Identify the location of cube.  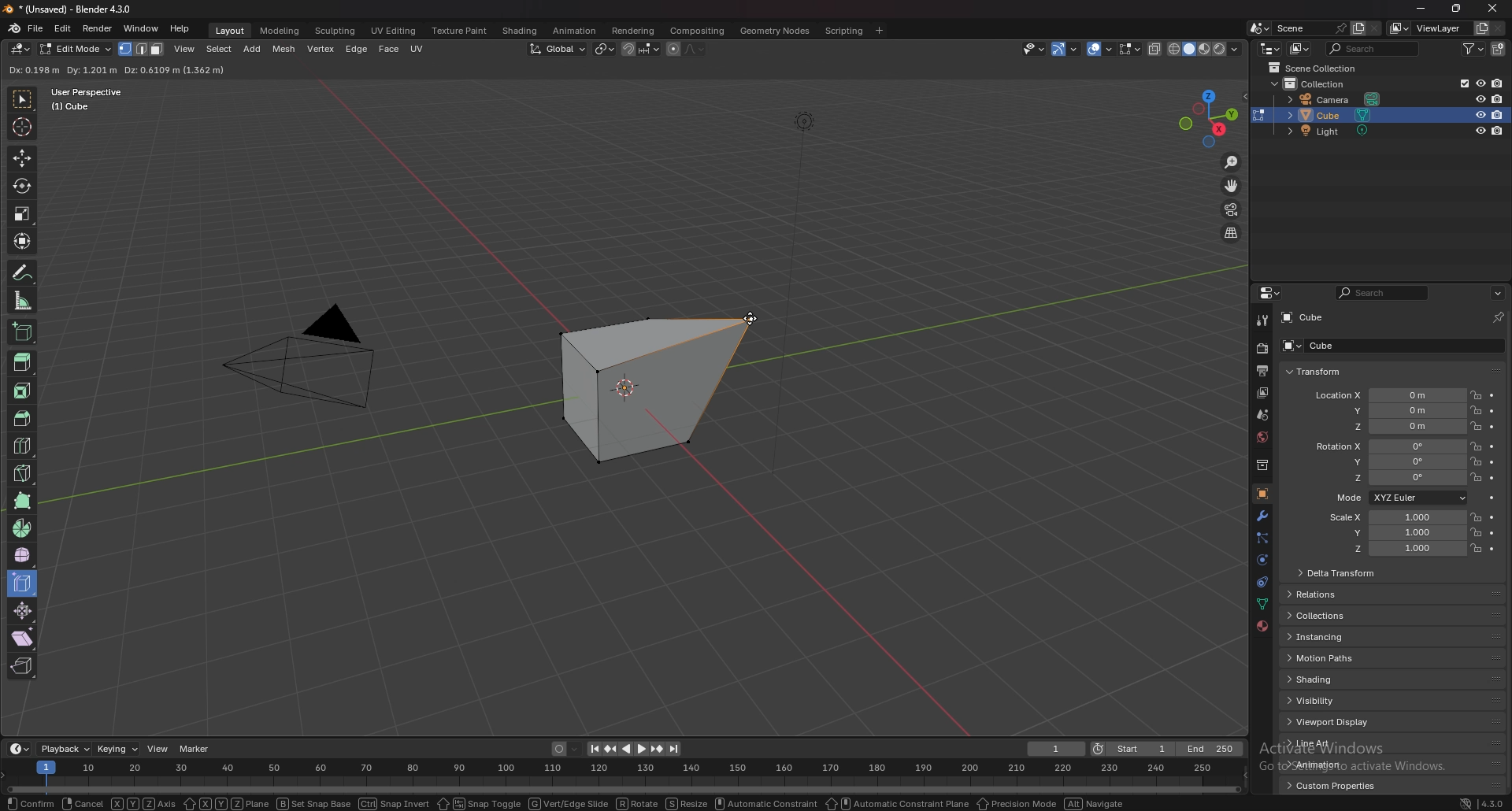
(661, 383).